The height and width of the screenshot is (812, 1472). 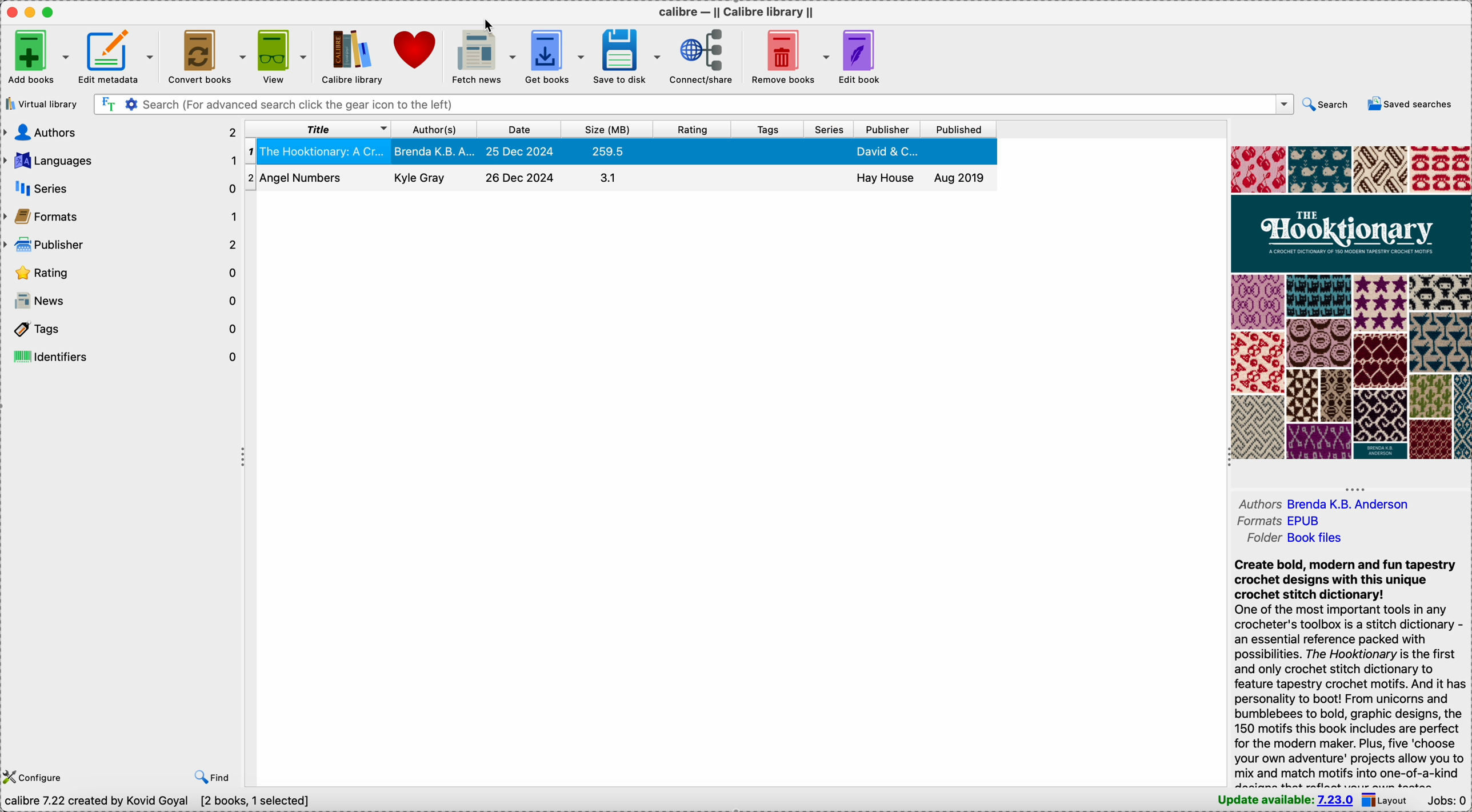 I want to click on news, so click(x=122, y=299).